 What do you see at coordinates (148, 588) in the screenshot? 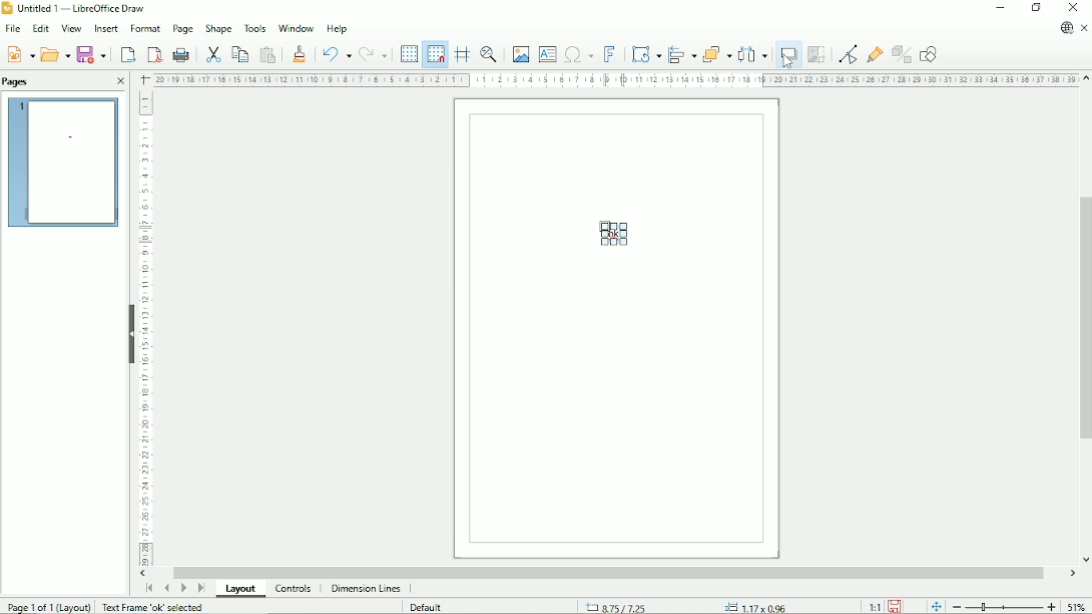
I see `Scroll to first page` at bounding box center [148, 588].